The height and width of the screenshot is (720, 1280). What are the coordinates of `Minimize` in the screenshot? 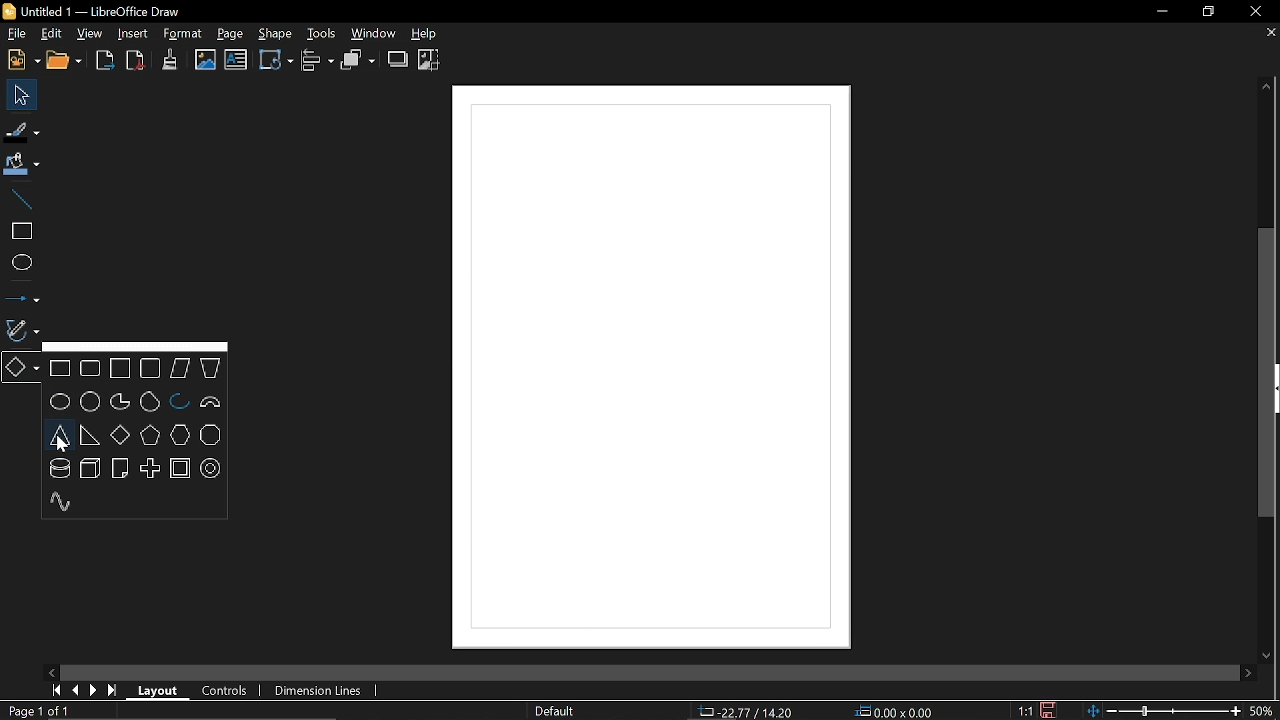 It's located at (1156, 13).